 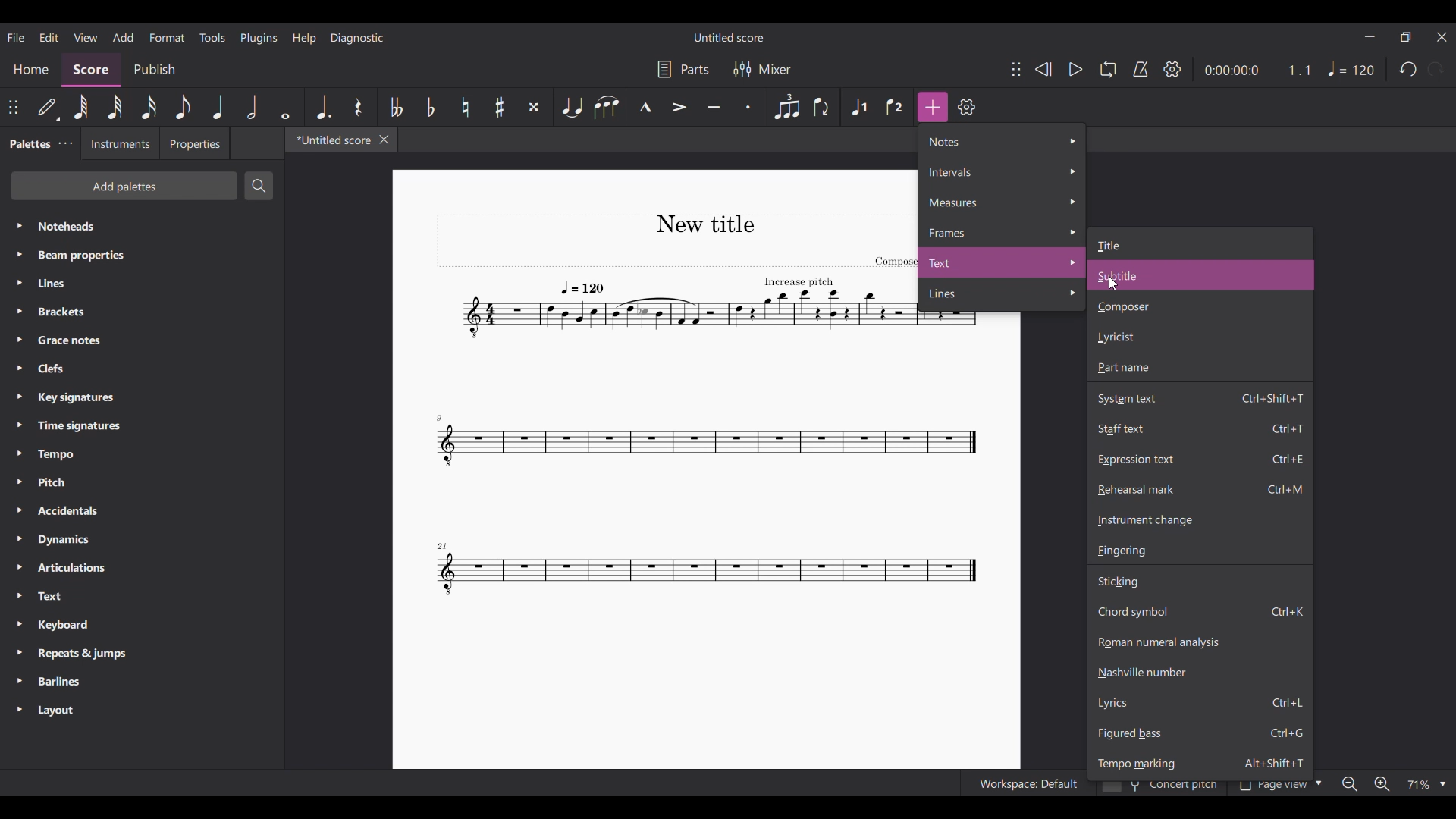 What do you see at coordinates (142, 482) in the screenshot?
I see `Pitch` at bounding box center [142, 482].